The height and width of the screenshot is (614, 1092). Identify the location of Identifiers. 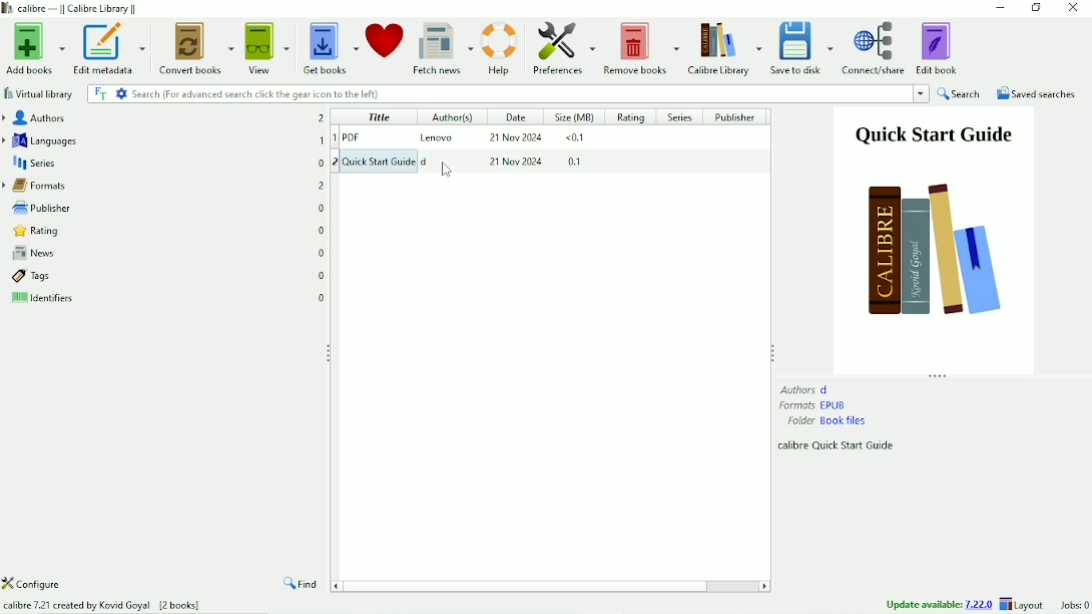
(167, 301).